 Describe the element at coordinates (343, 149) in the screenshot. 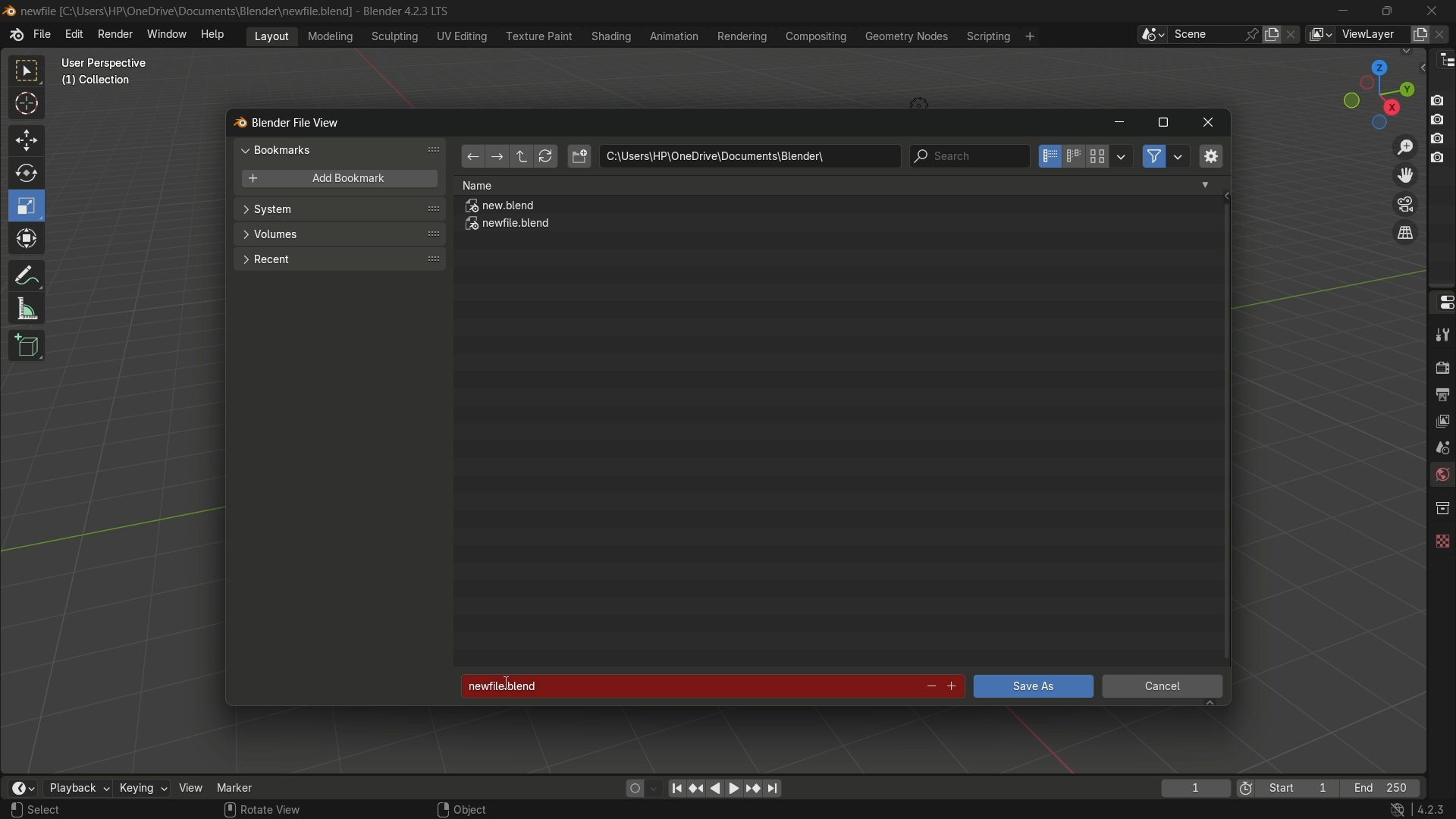

I see `bookmarks` at that location.